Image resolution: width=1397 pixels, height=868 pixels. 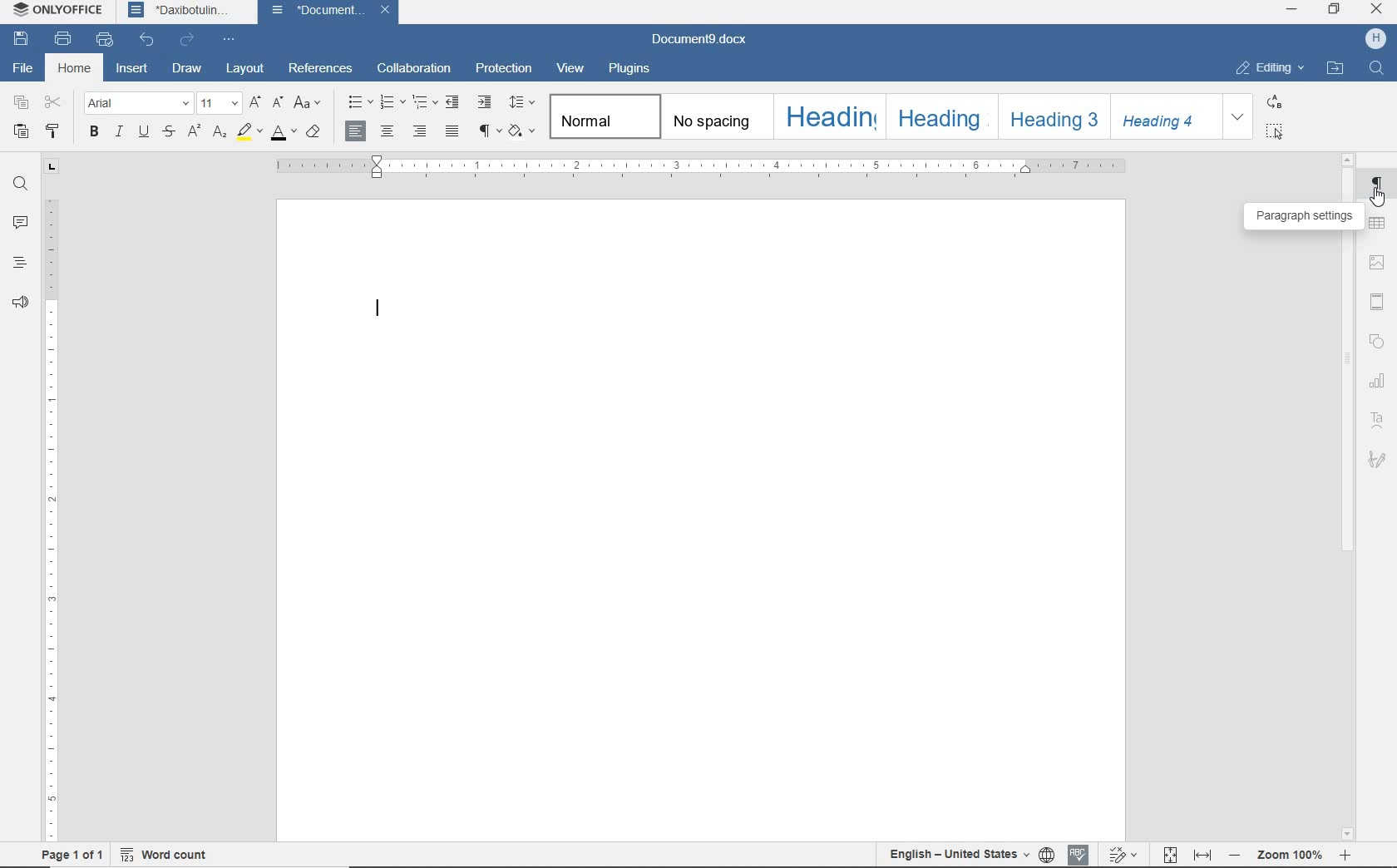 I want to click on track changes, so click(x=1122, y=854).